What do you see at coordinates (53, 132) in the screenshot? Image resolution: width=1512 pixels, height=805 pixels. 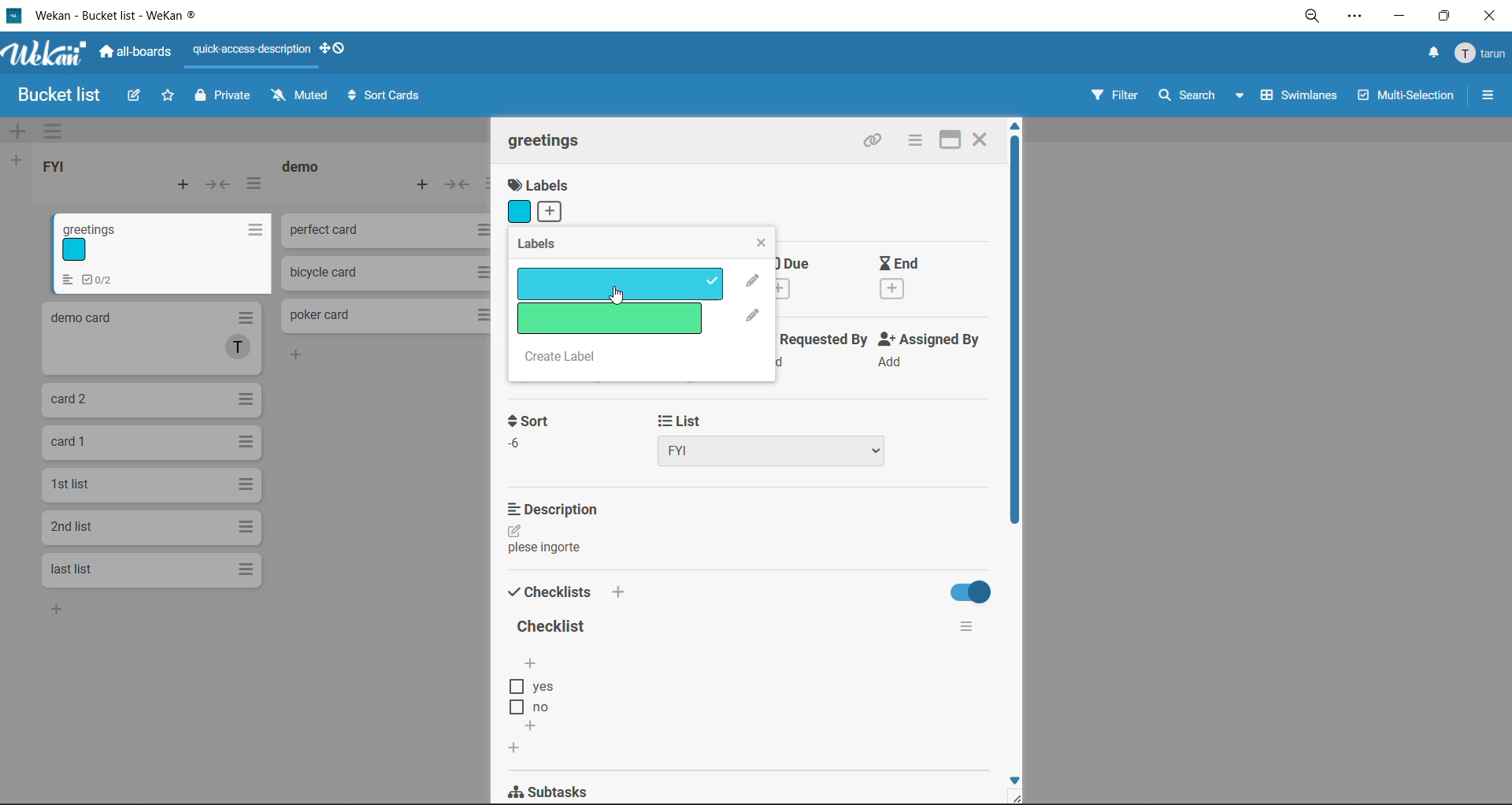 I see `swimlane actions` at bounding box center [53, 132].